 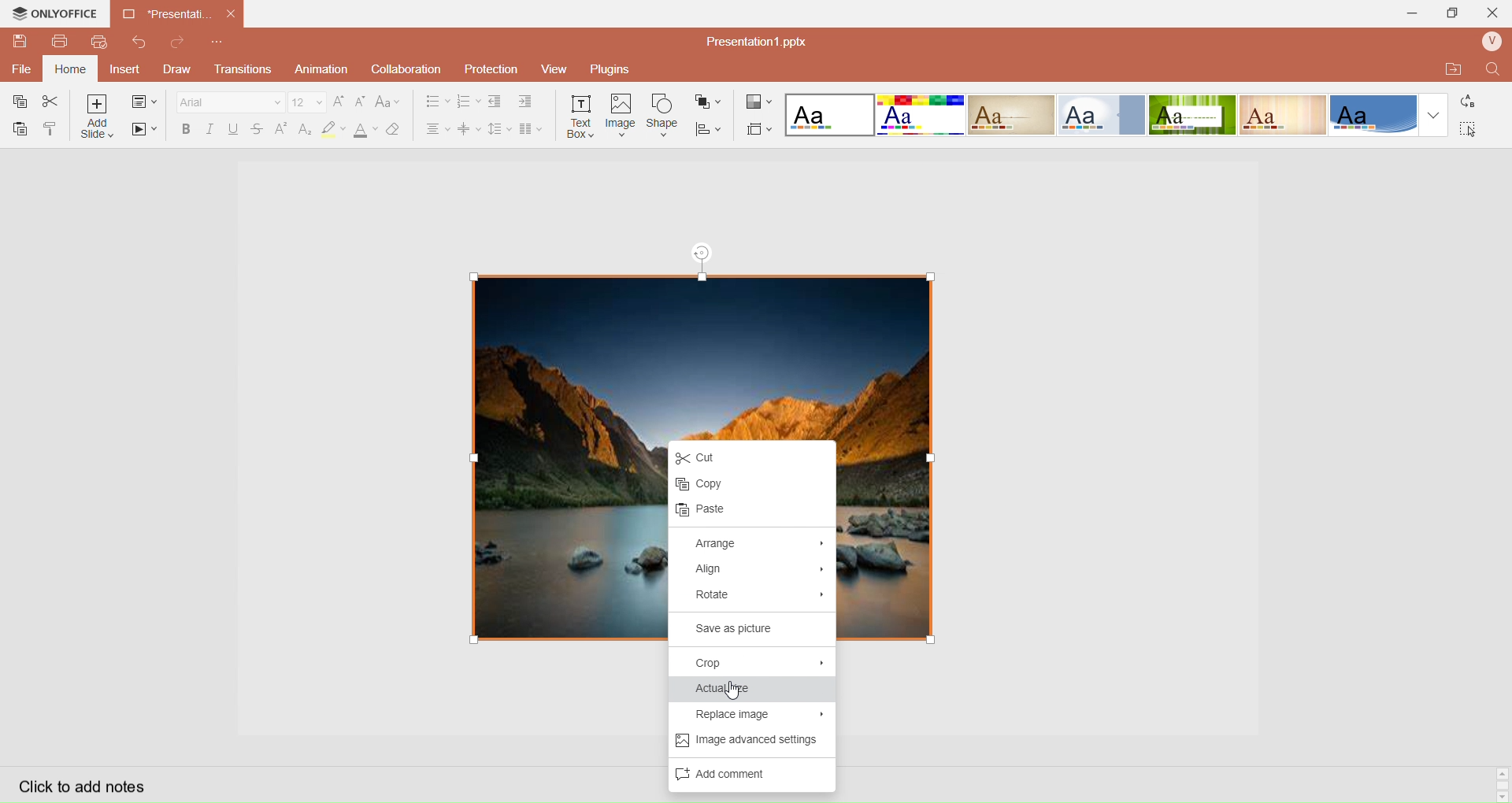 I want to click on User, so click(x=1492, y=43).